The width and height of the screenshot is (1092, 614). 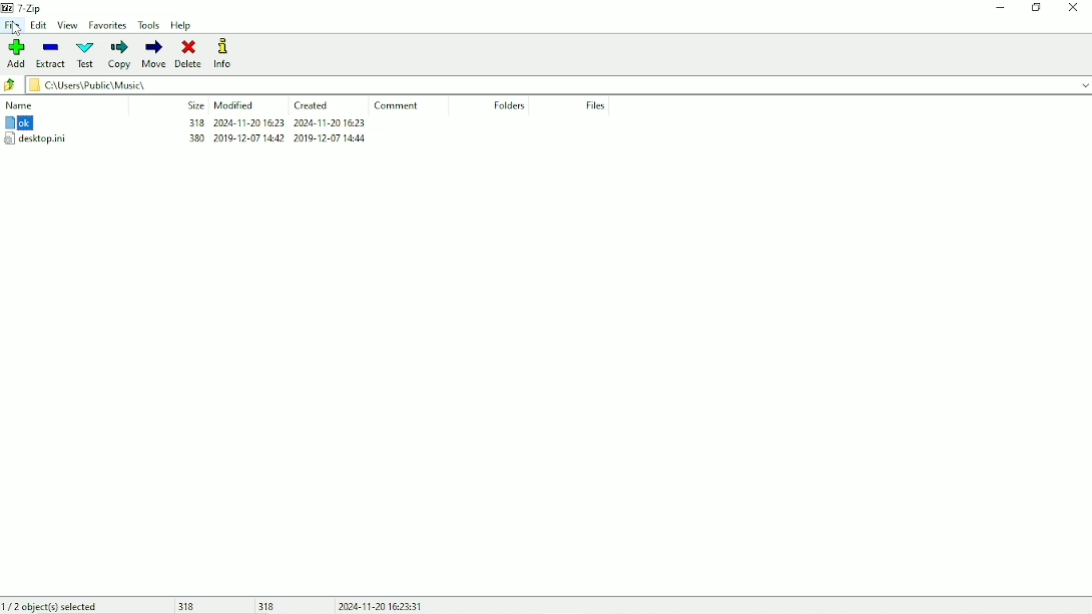 I want to click on Copy, so click(x=120, y=54).